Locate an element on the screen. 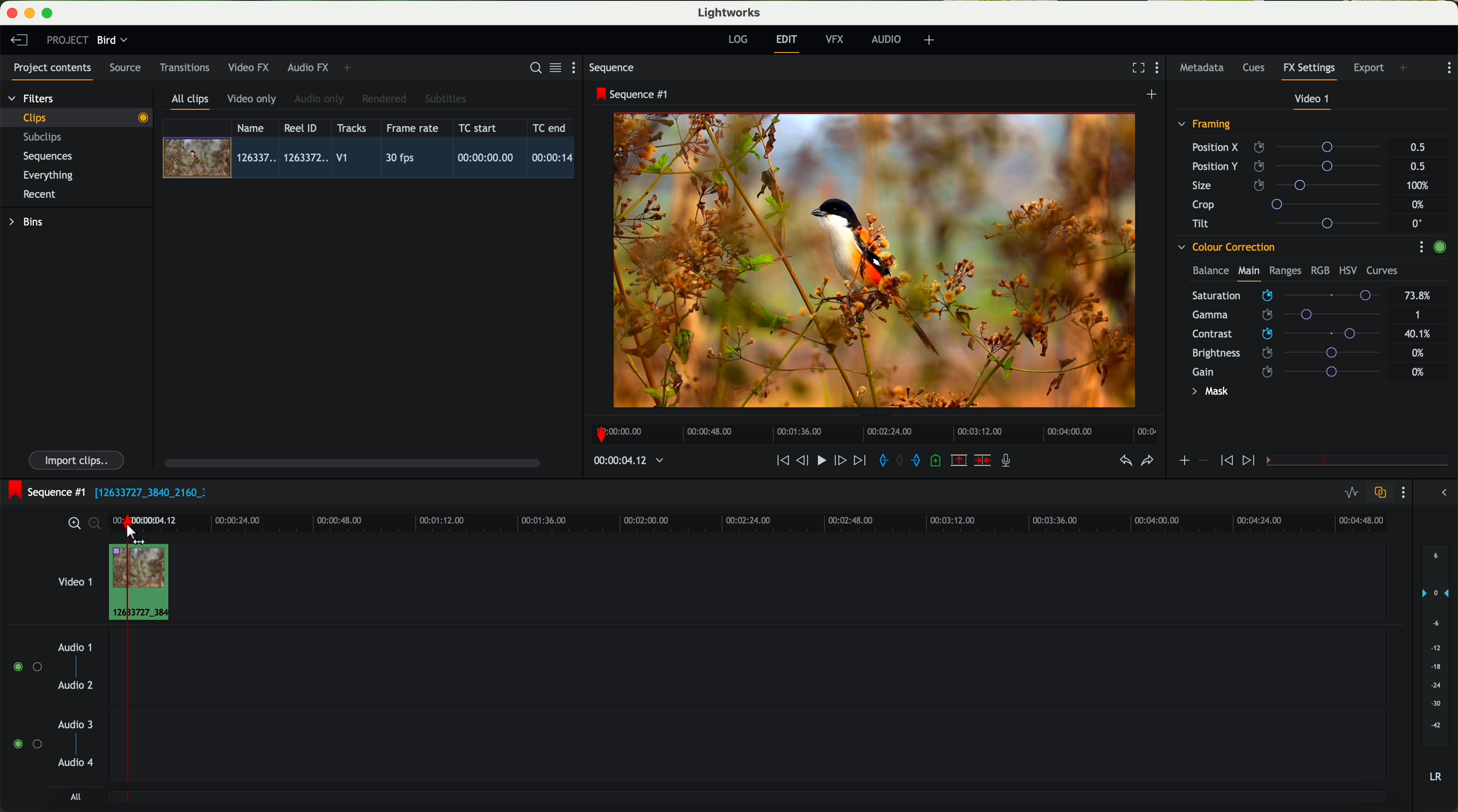 This screenshot has height=812, width=1458. drag to is located at coordinates (138, 535).